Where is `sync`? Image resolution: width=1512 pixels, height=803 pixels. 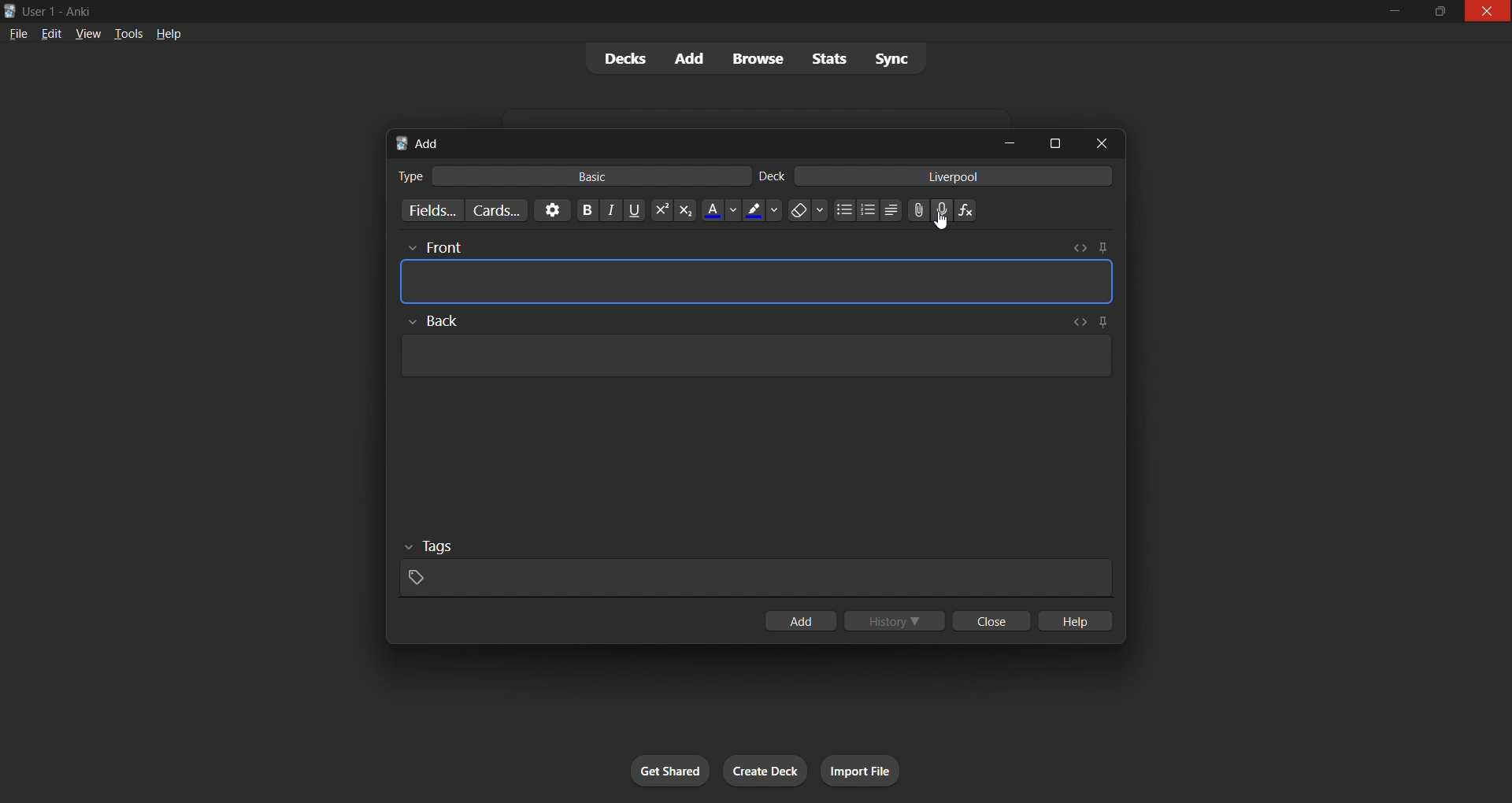
sync is located at coordinates (894, 59).